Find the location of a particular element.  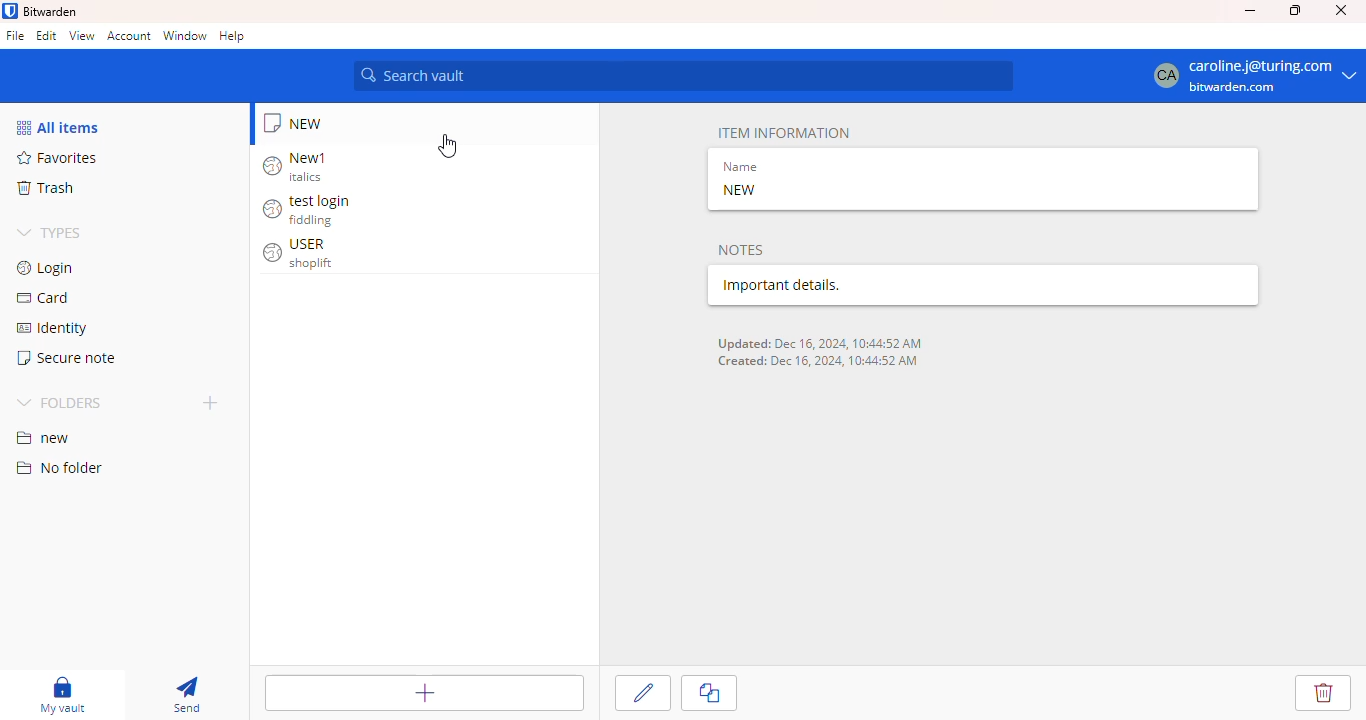

NEW is located at coordinates (740, 190).